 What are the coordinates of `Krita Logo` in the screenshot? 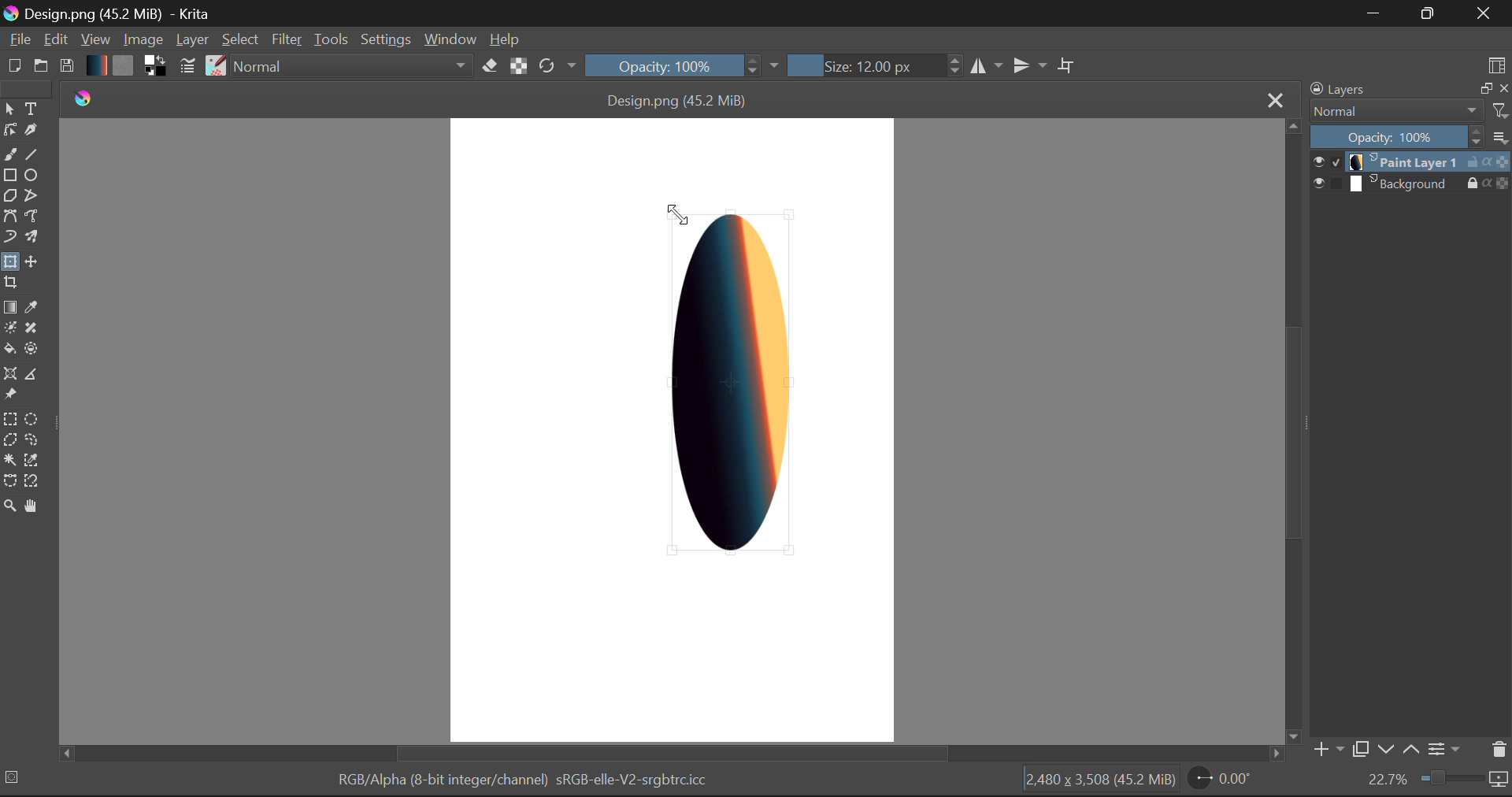 It's located at (81, 98).